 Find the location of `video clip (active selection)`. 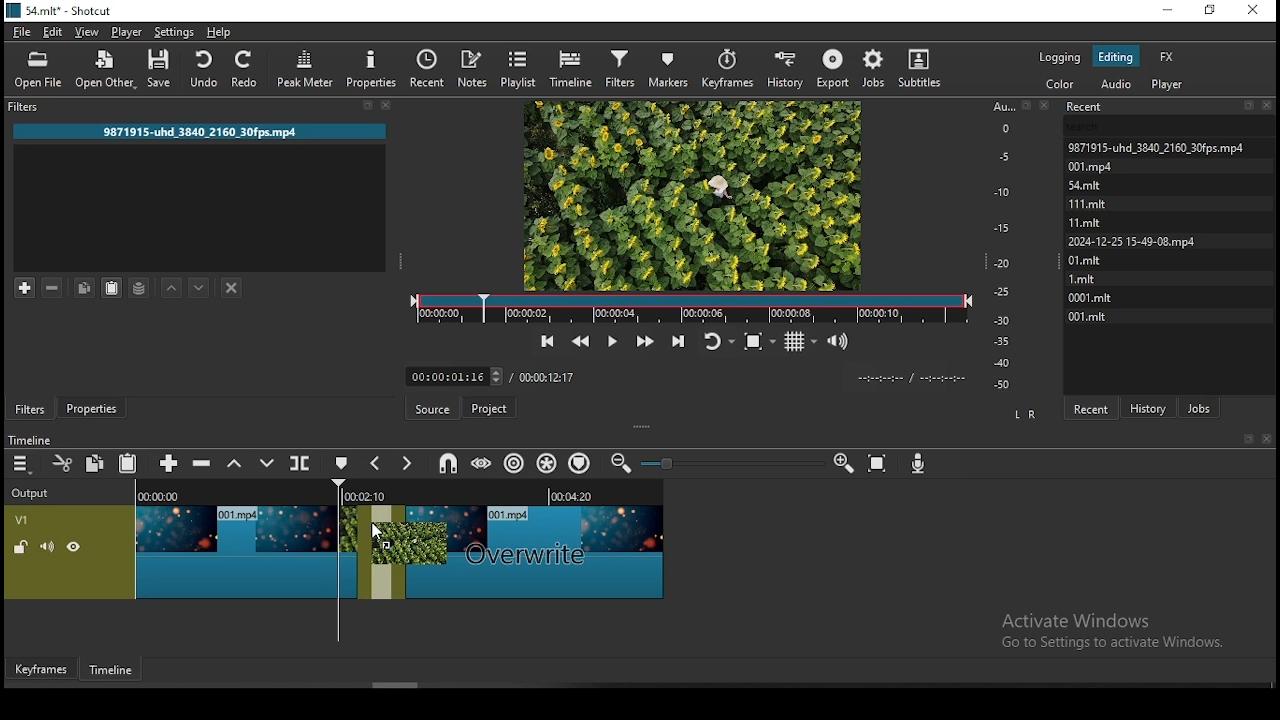

video clip (active selection) is located at coordinates (383, 552).